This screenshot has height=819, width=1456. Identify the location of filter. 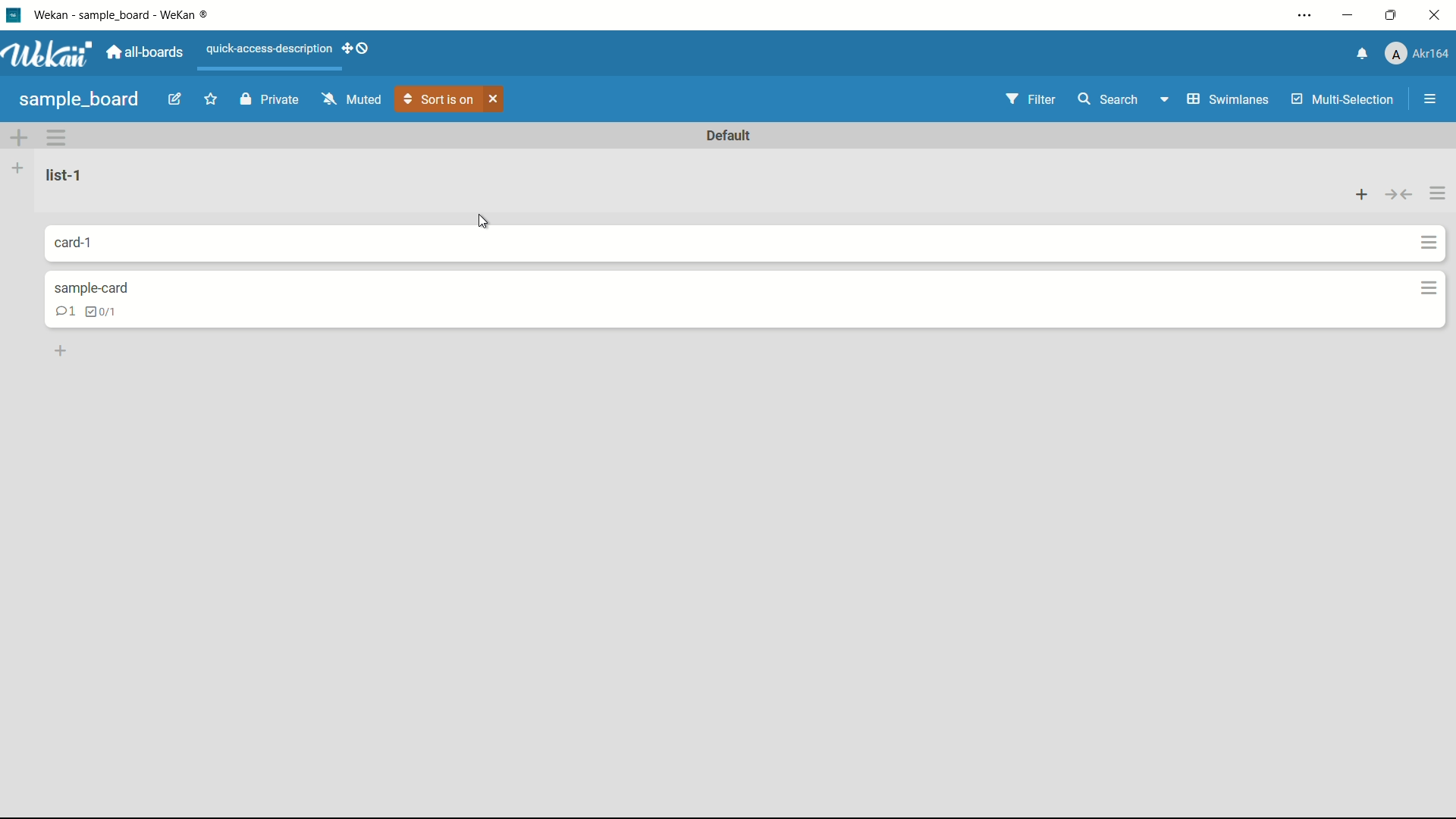
(1031, 101).